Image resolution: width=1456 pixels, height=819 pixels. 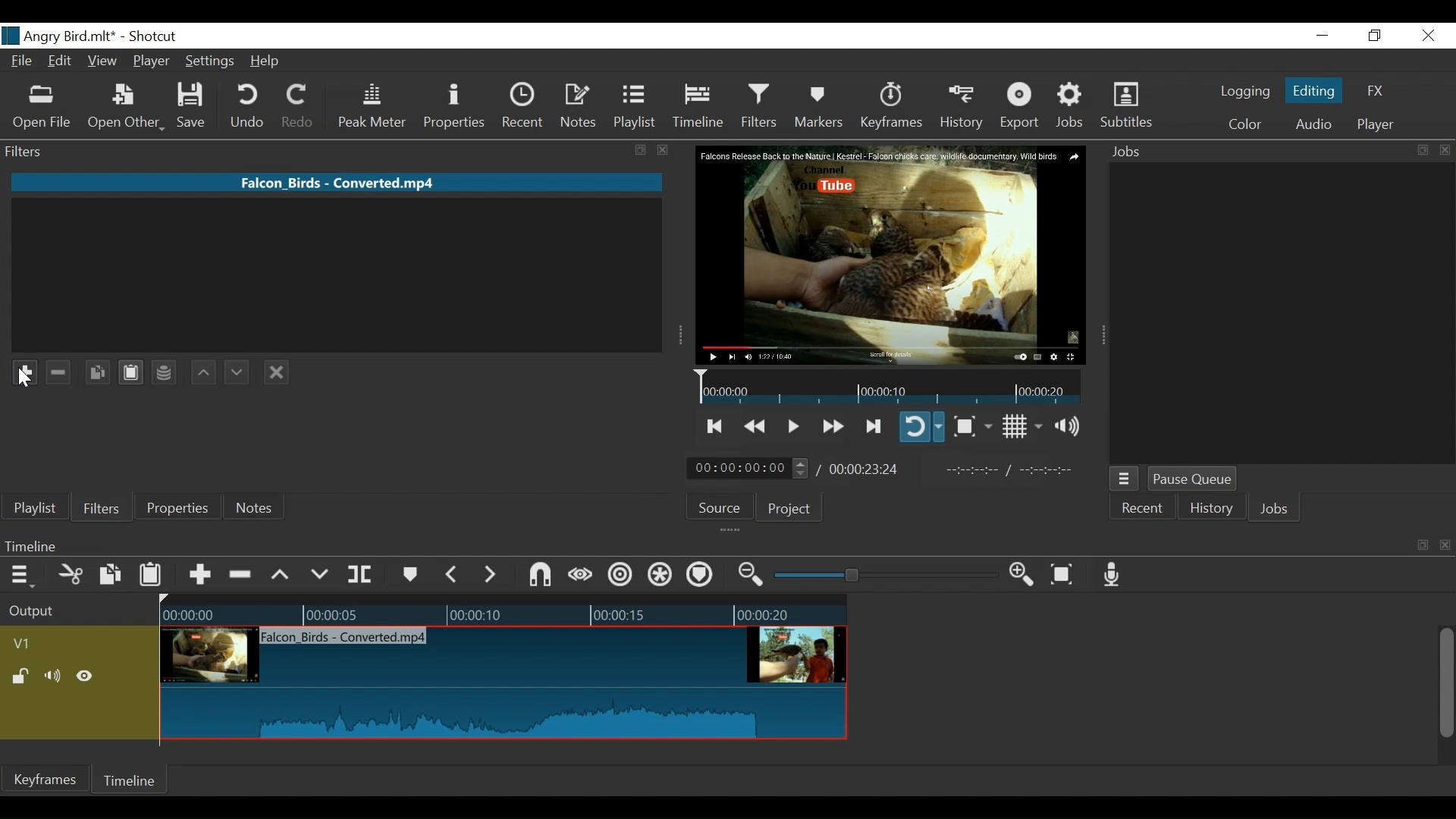 What do you see at coordinates (242, 576) in the screenshot?
I see `Remove cut` at bounding box center [242, 576].